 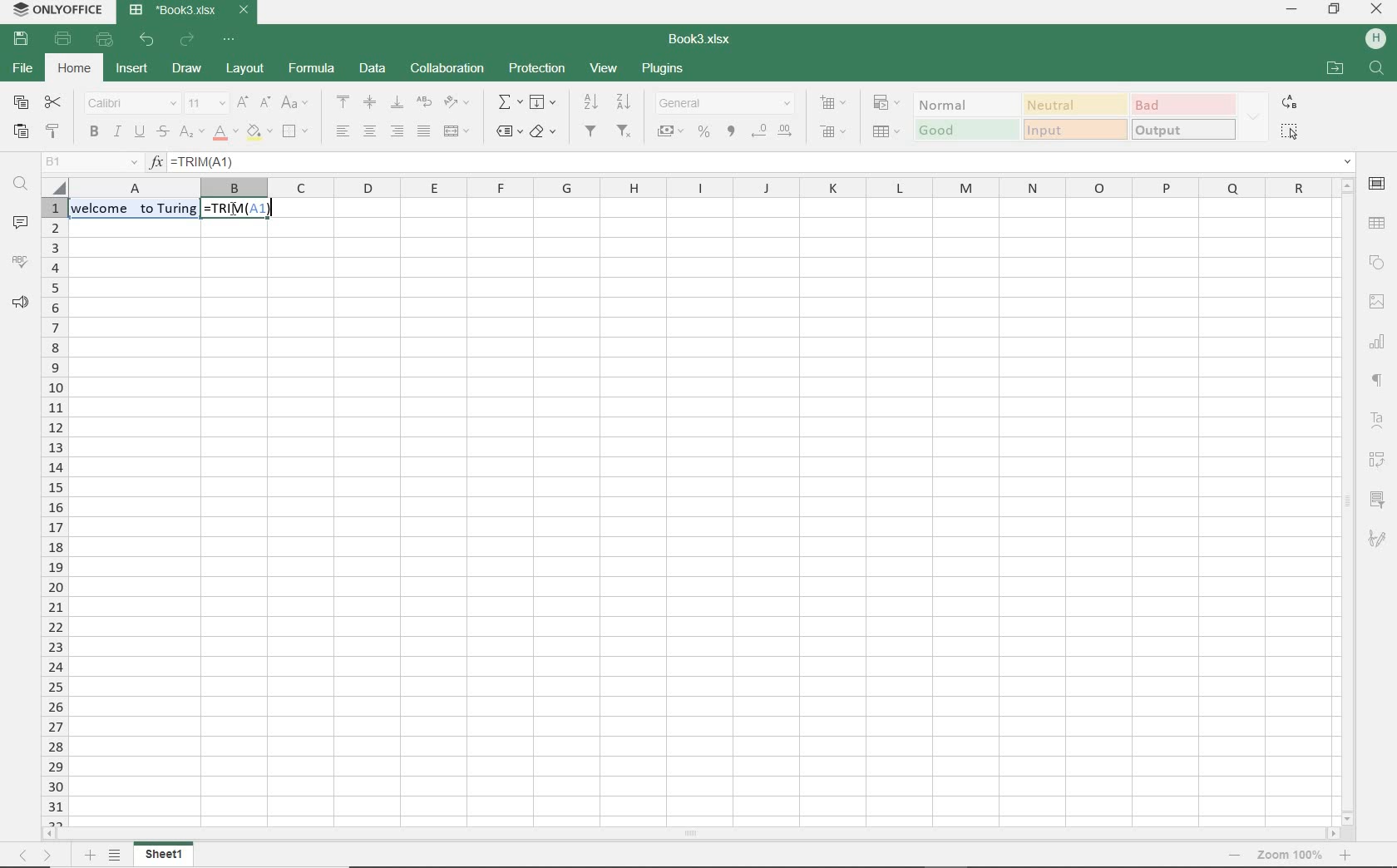 What do you see at coordinates (205, 103) in the screenshot?
I see `font size` at bounding box center [205, 103].